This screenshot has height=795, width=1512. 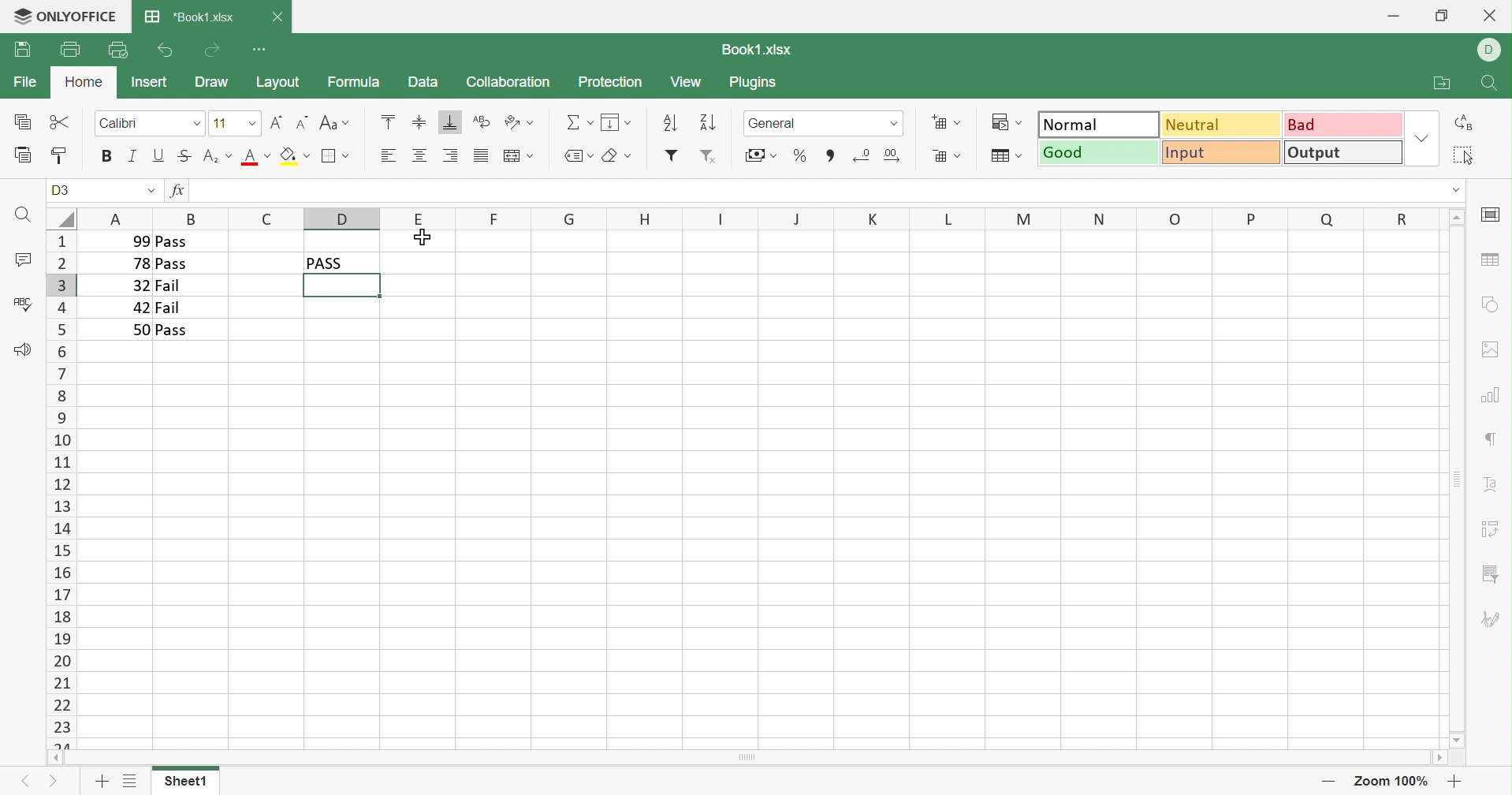 I want to click on Change case, so click(x=333, y=125).